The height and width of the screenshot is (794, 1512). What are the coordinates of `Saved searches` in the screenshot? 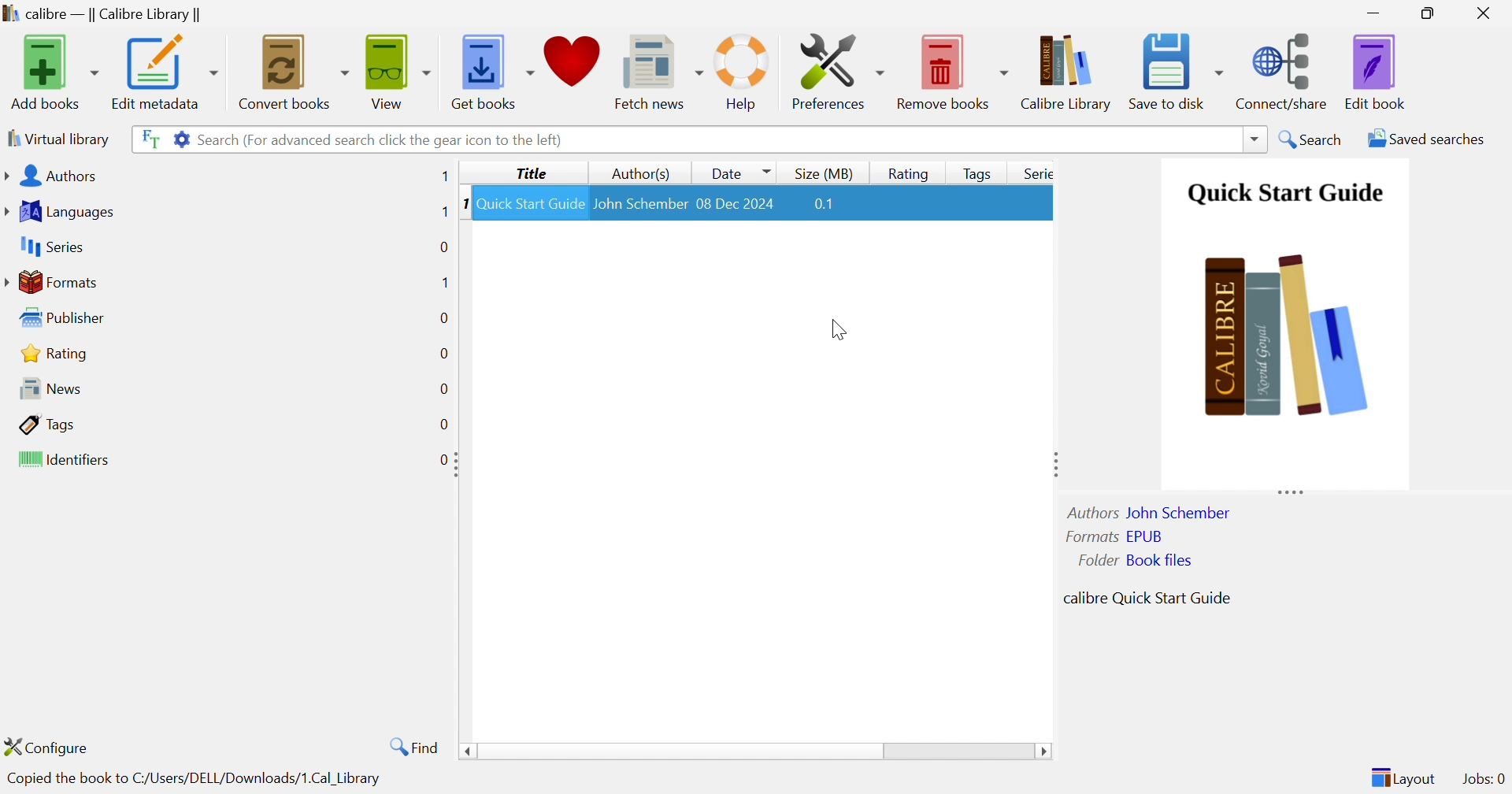 It's located at (1423, 139).